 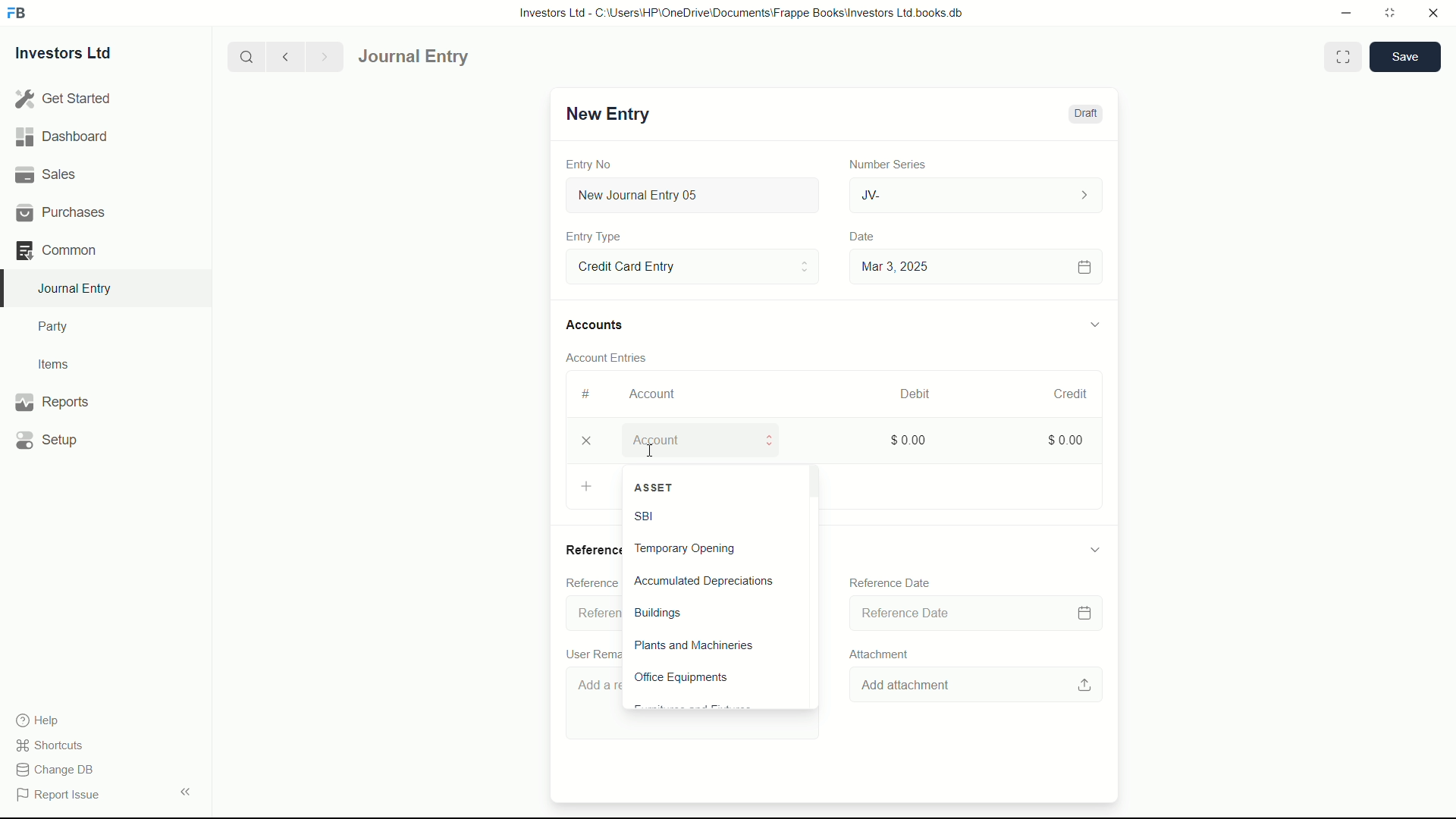 I want to click on New Entry, so click(x=605, y=114).